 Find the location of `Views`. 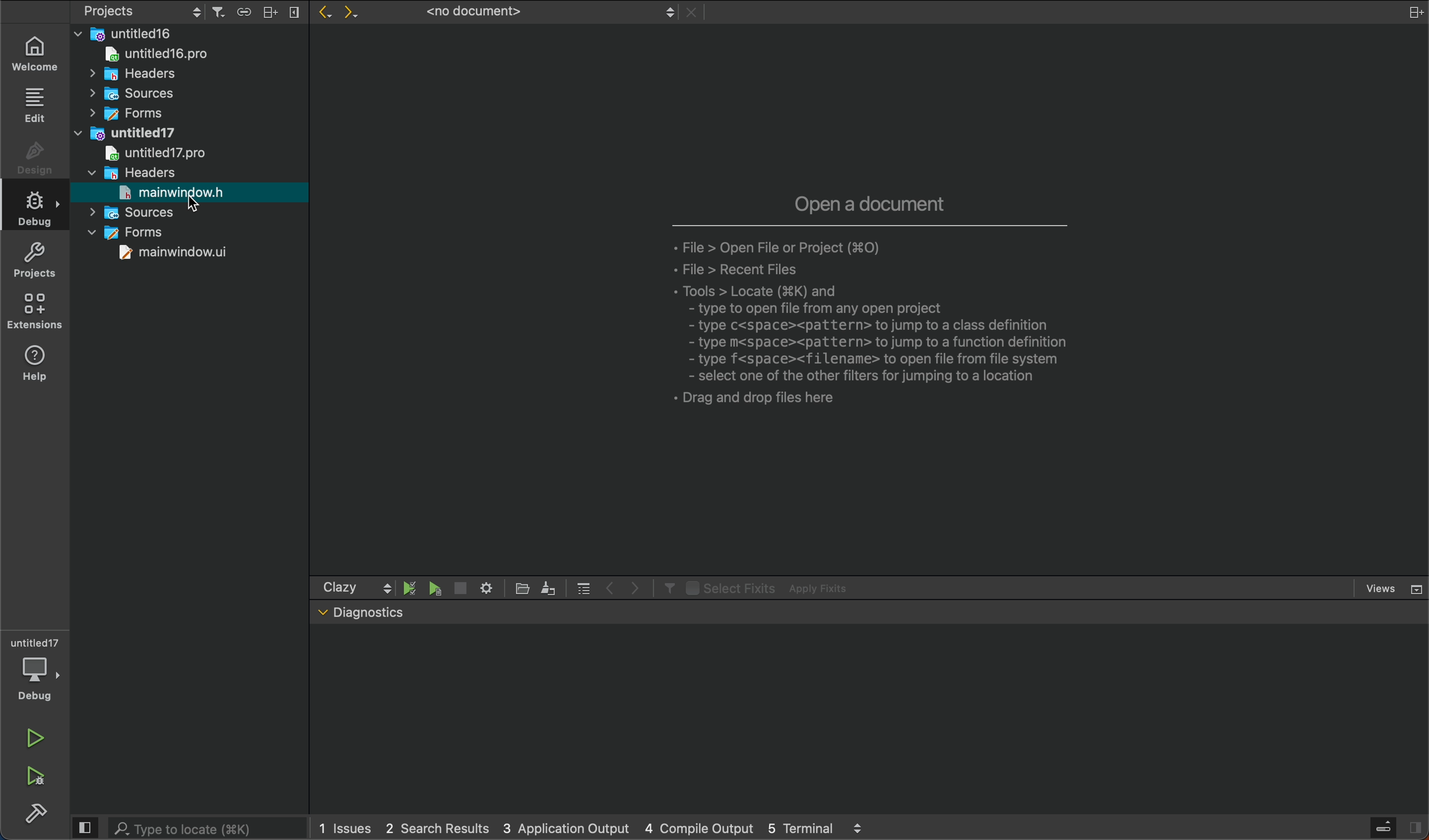

Views is located at coordinates (1393, 588).